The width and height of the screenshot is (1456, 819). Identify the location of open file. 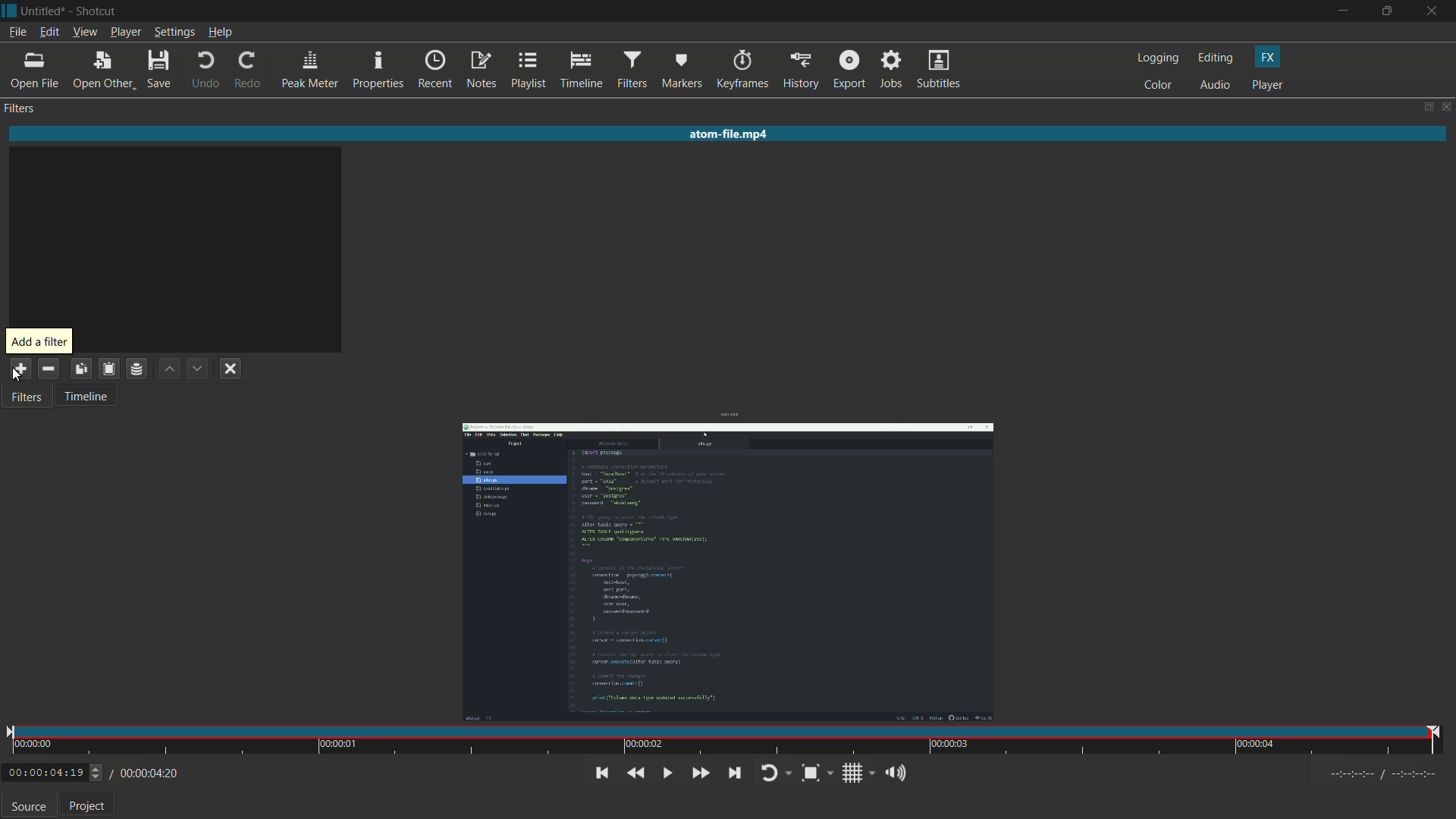
(35, 71).